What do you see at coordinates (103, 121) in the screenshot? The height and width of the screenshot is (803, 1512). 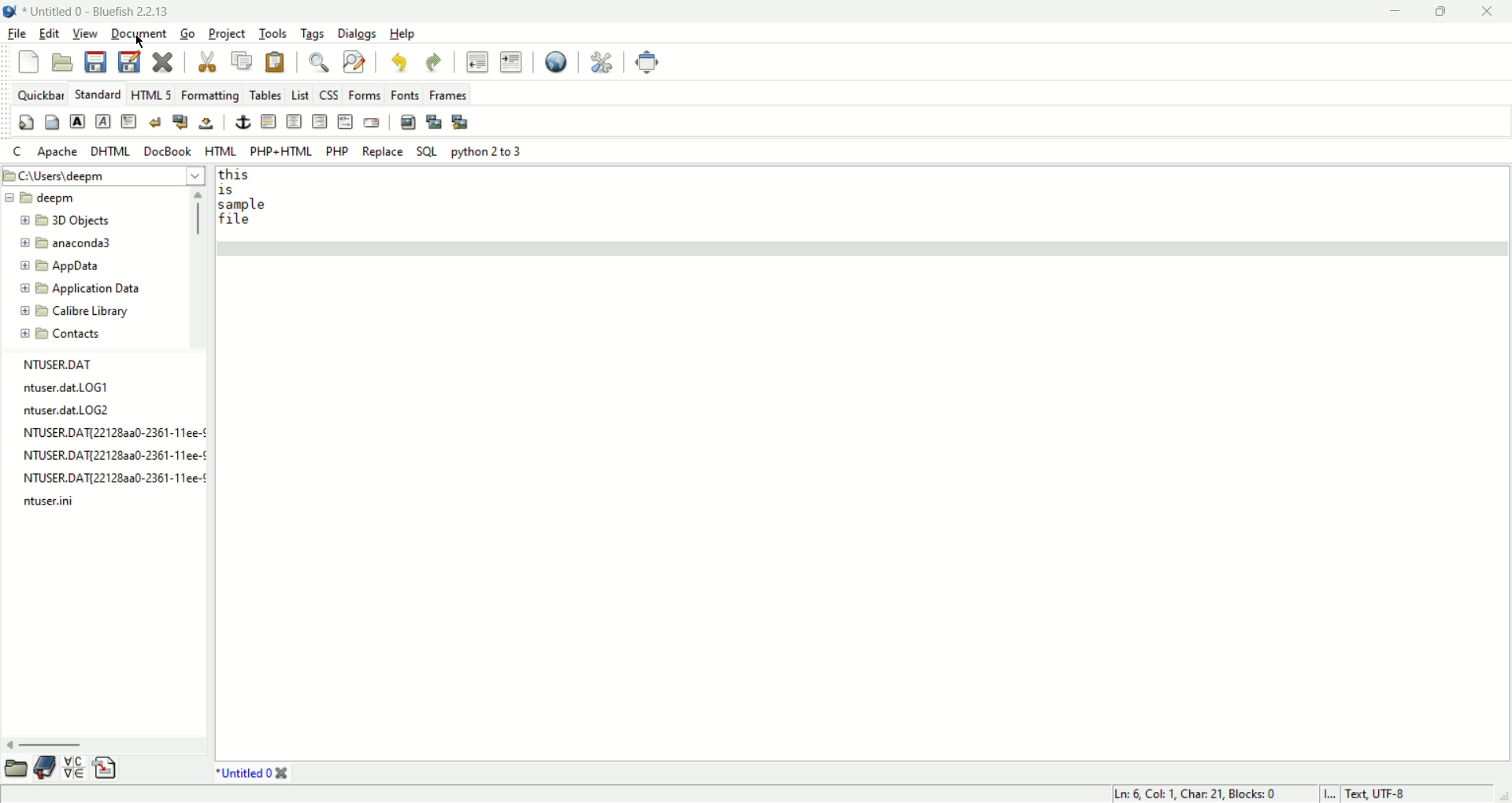 I see `emphasis` at bounding box center [103, 121].